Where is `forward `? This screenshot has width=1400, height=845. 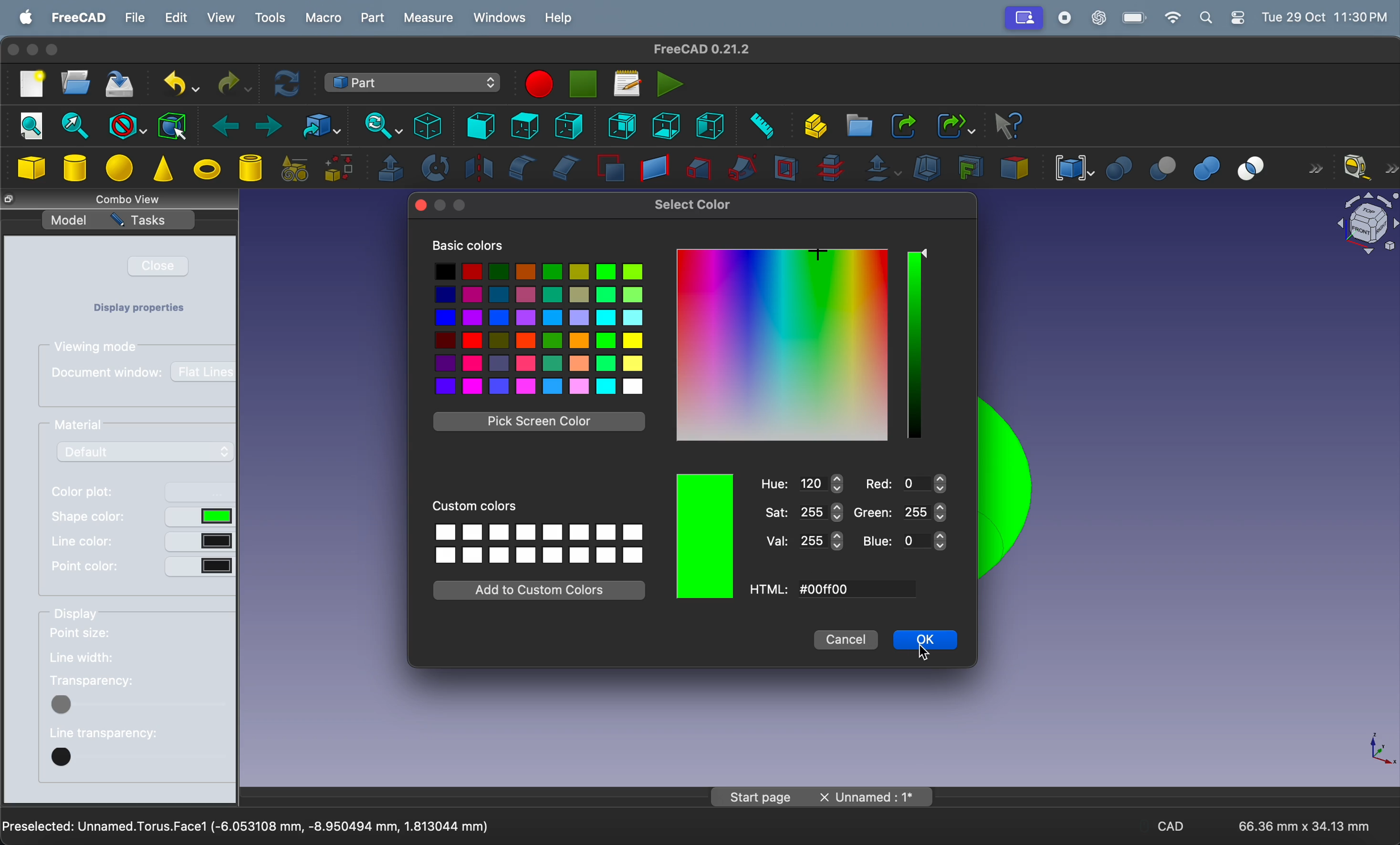 forward  is located at coordinates (264, 125).